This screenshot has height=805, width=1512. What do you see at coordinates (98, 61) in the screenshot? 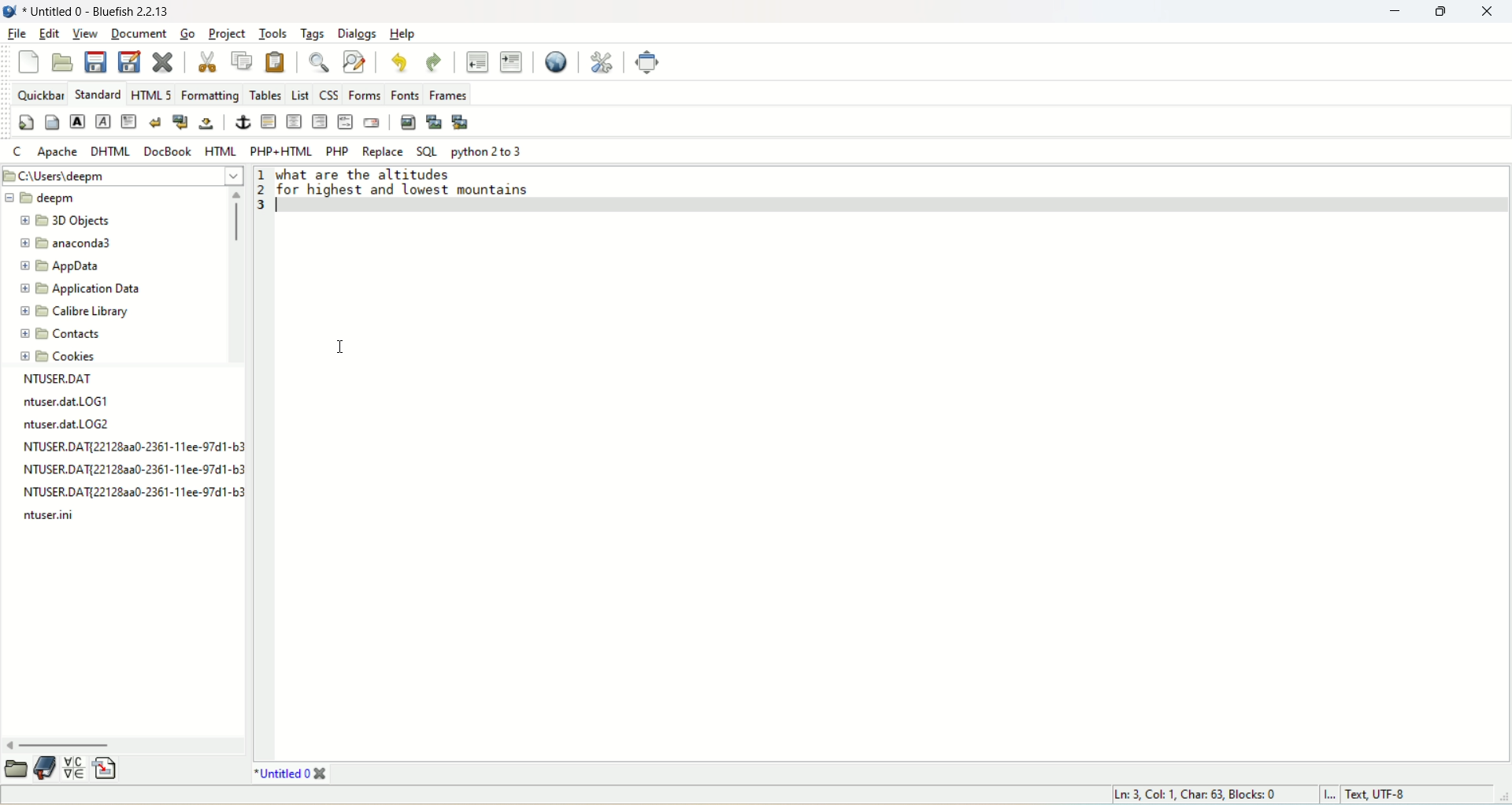
I see `save current file` at bounding box center [98, 61].